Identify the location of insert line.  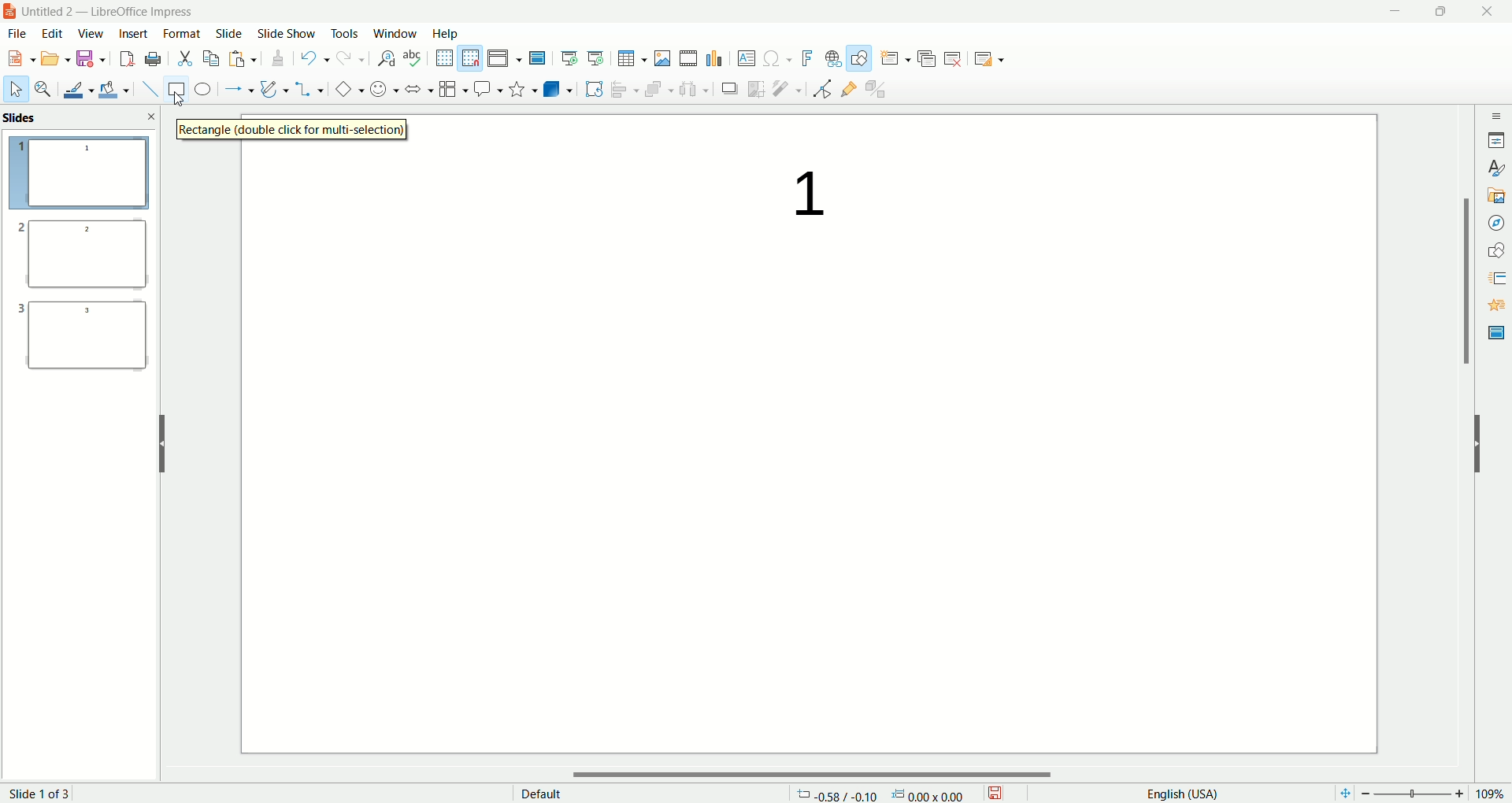
(145, 89).